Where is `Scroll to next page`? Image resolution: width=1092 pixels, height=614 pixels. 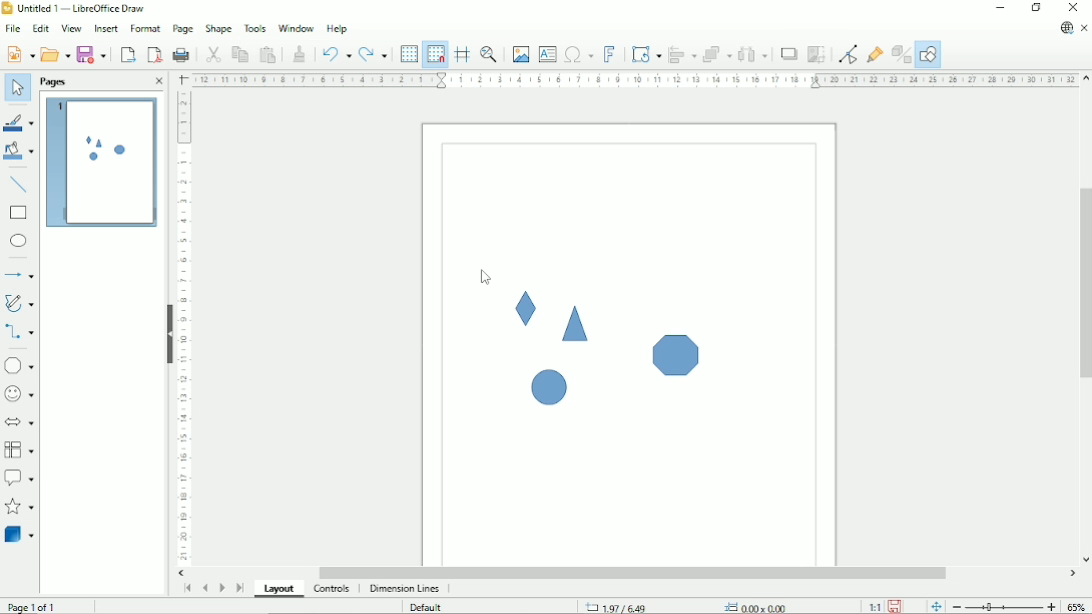 Scroll to next page is located at coordinates (222, 586).